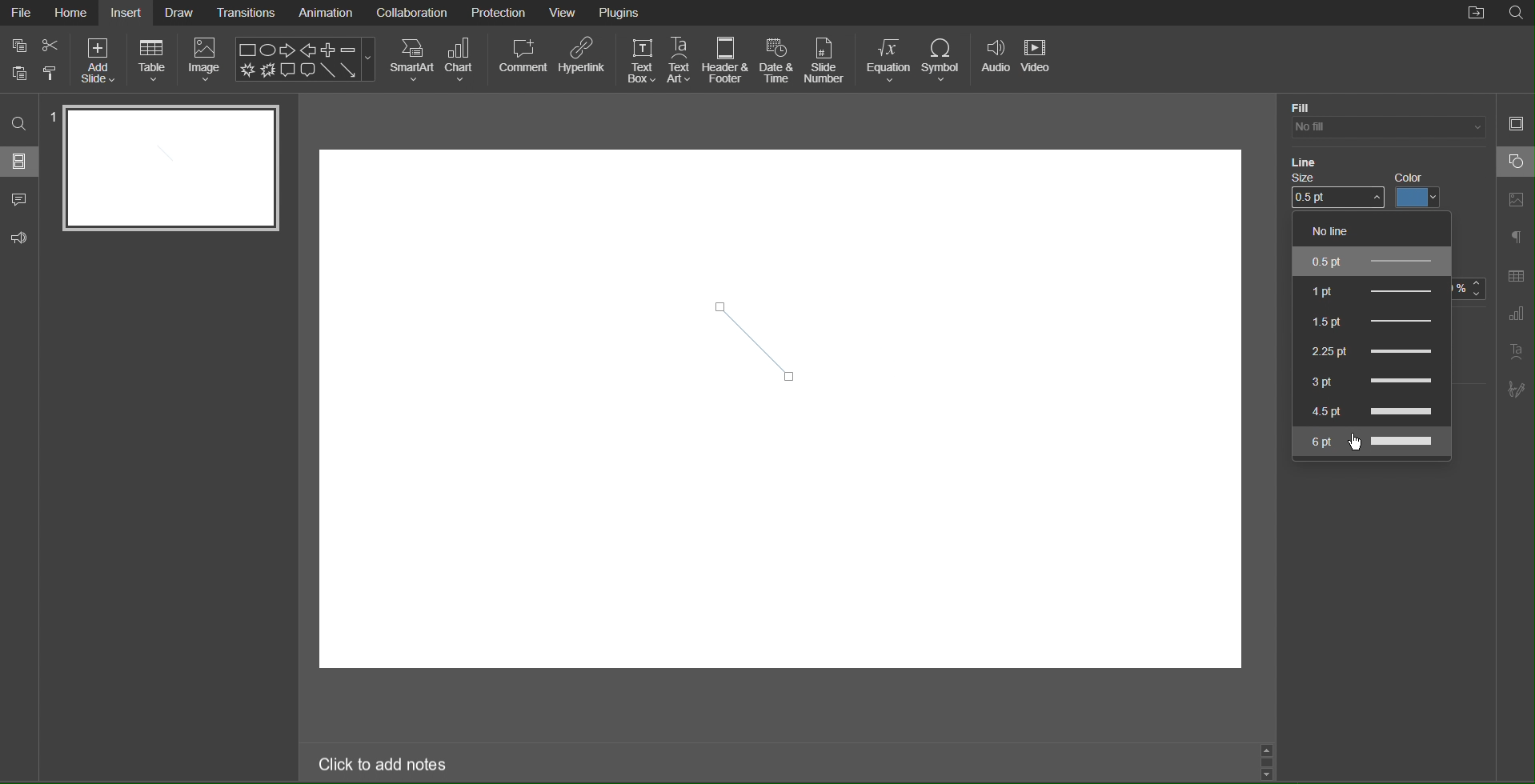 Image resolution: width=1535 pixels, height=784 pixels. Describe the element at coordinates (1516, 14) in the screenshot. I see `Search` at that location.